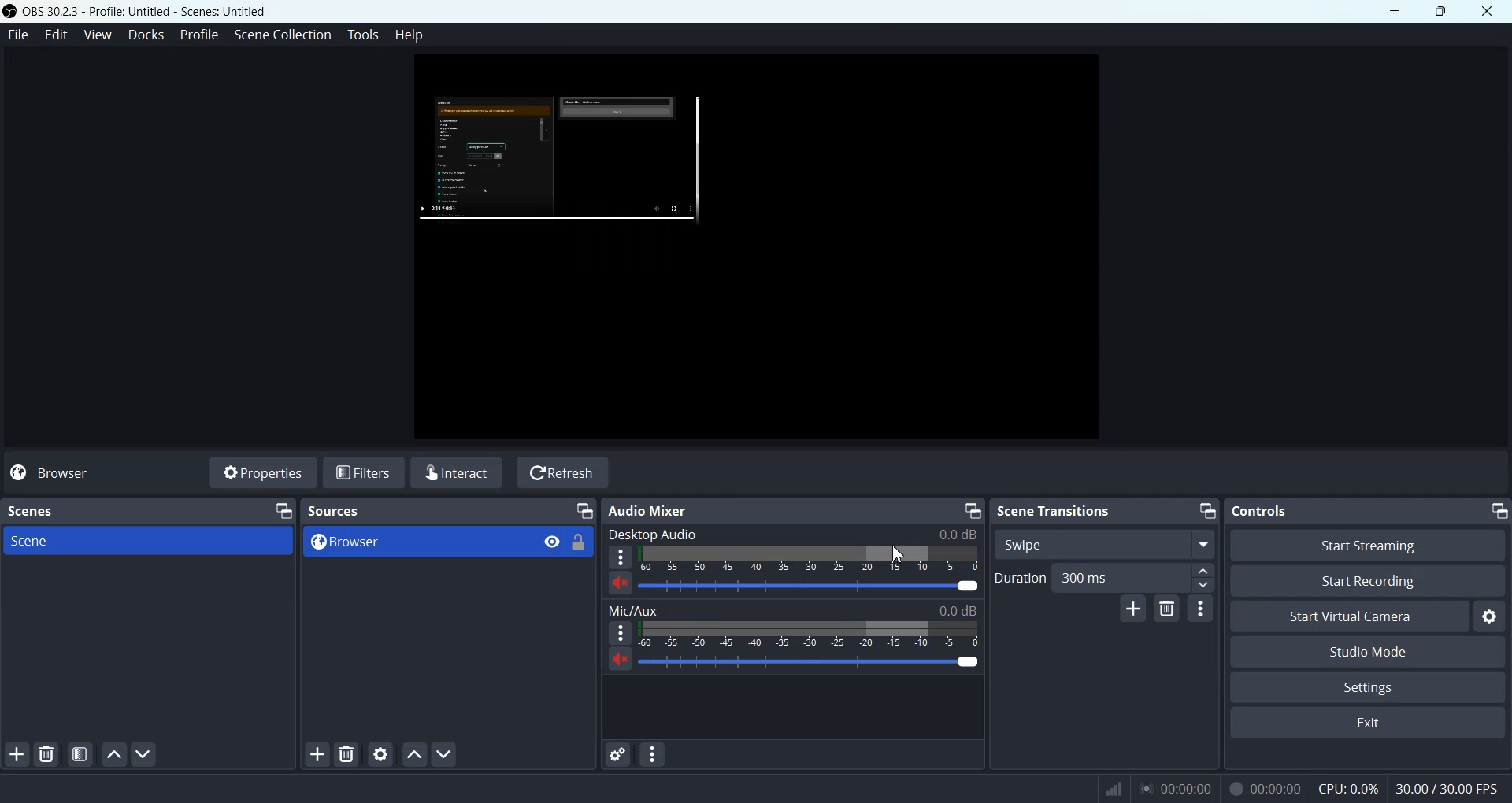 The image size is (1512, 803). What do you see at coordinates (409, 37) in the screenshot?
I see `Help` at bounding box center [409, 37].